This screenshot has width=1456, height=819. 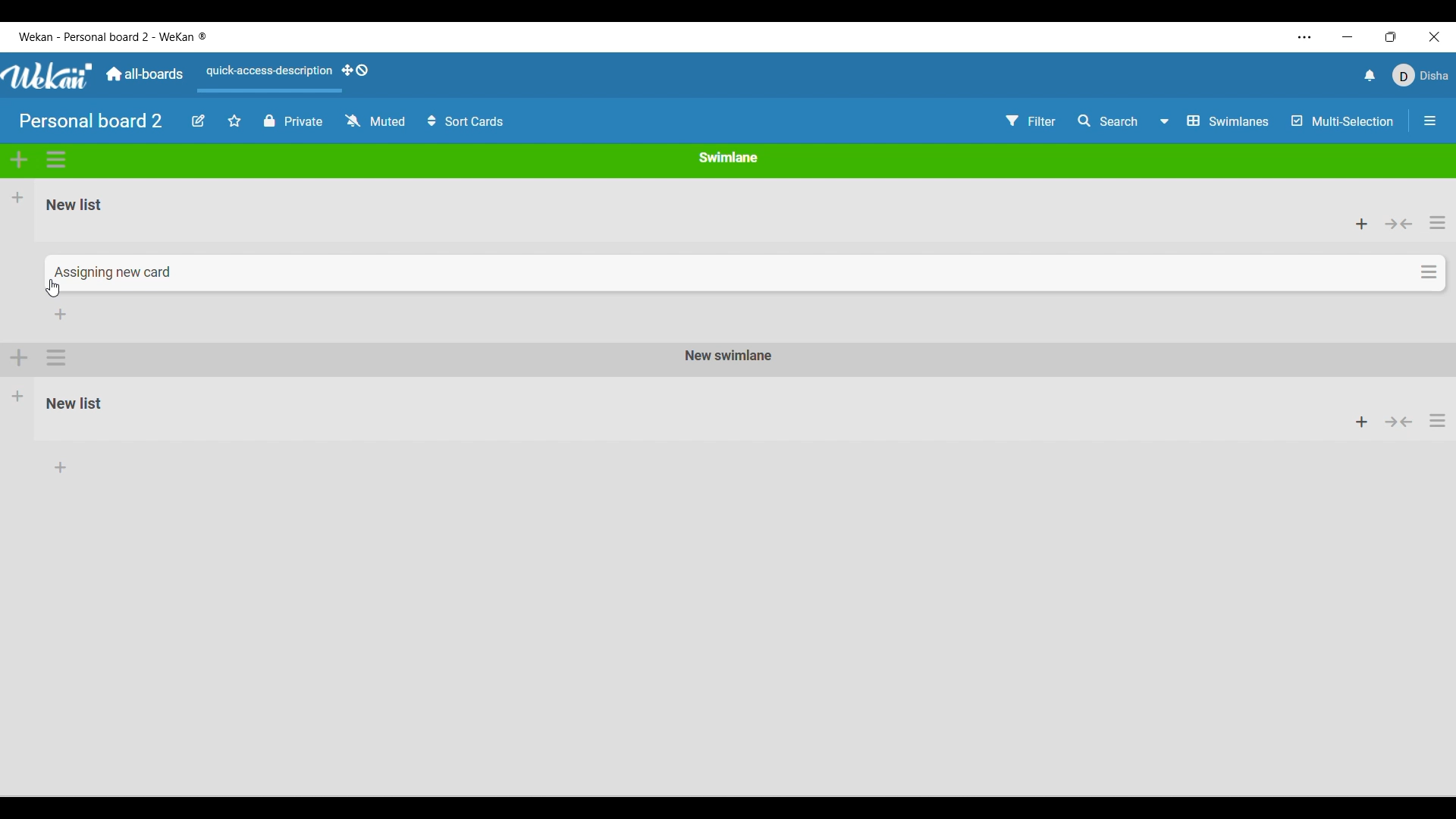 What do you see at coordinates (729, 412) in the screenshot?
I see `New Swimlane with it's own list added to the board` at bounding box center [729, 412].